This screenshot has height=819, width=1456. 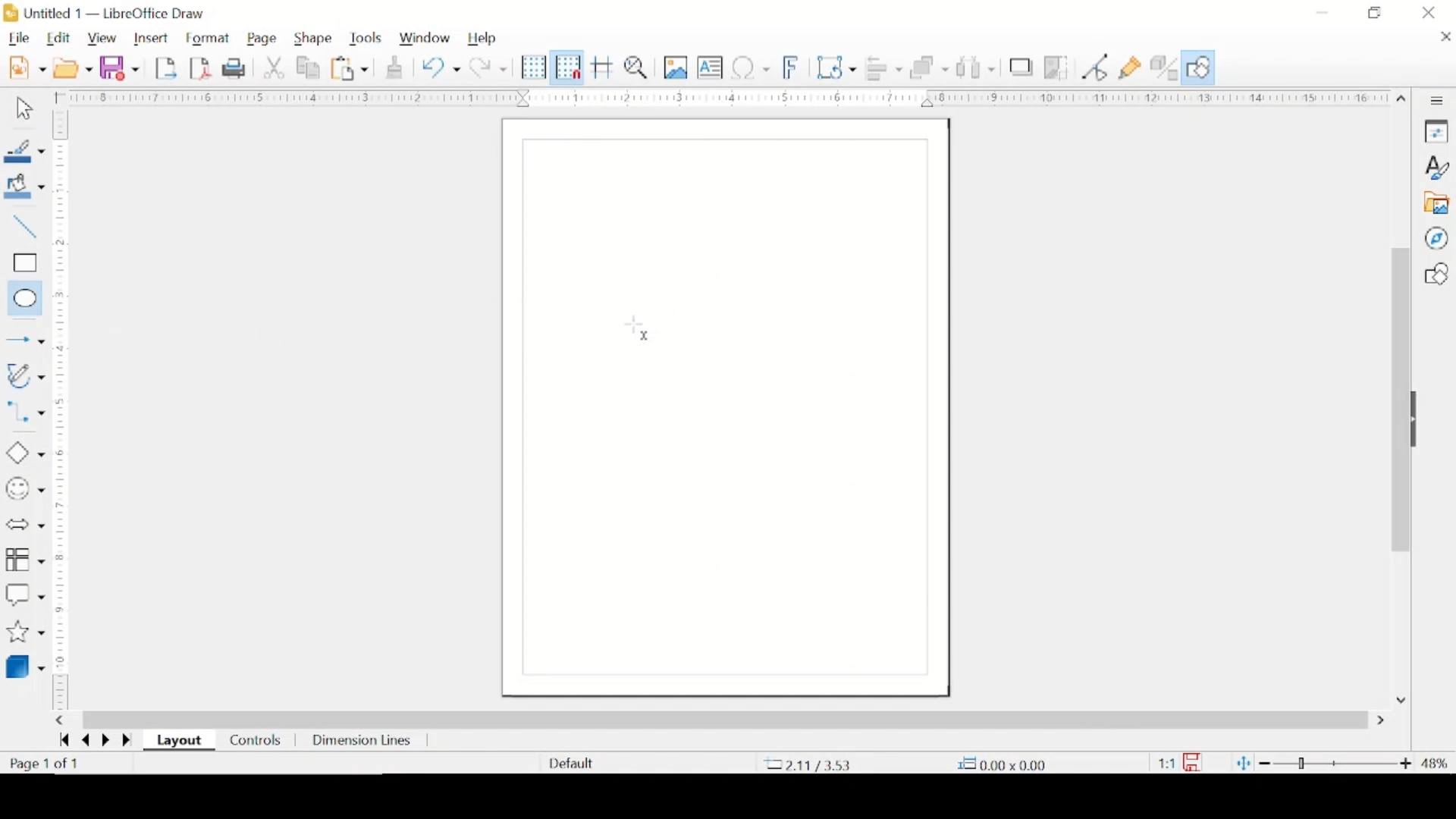 I want to click on close, so click(x=1430, y=12).